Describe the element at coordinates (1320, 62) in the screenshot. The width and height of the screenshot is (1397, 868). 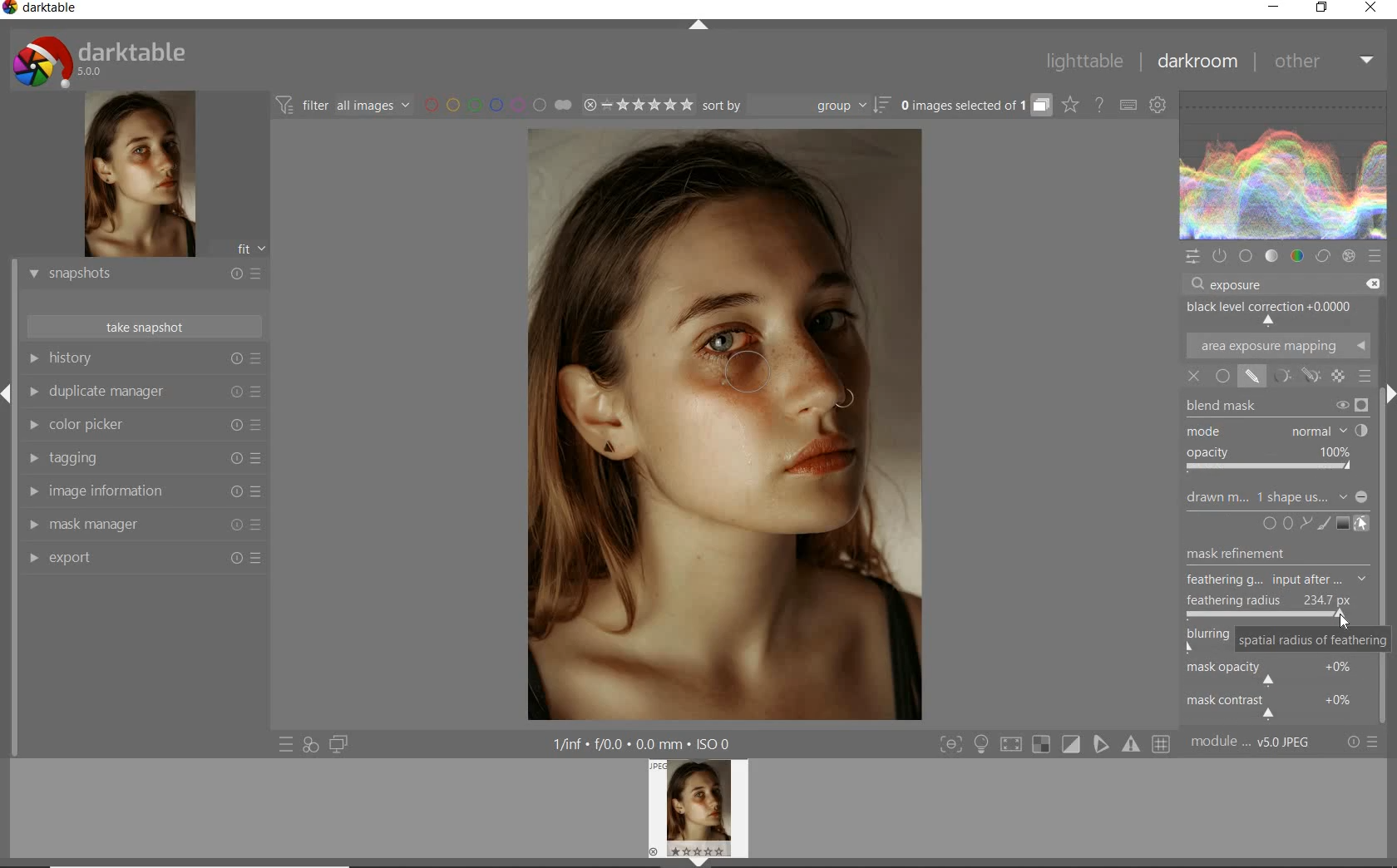
I see `other` at that location.